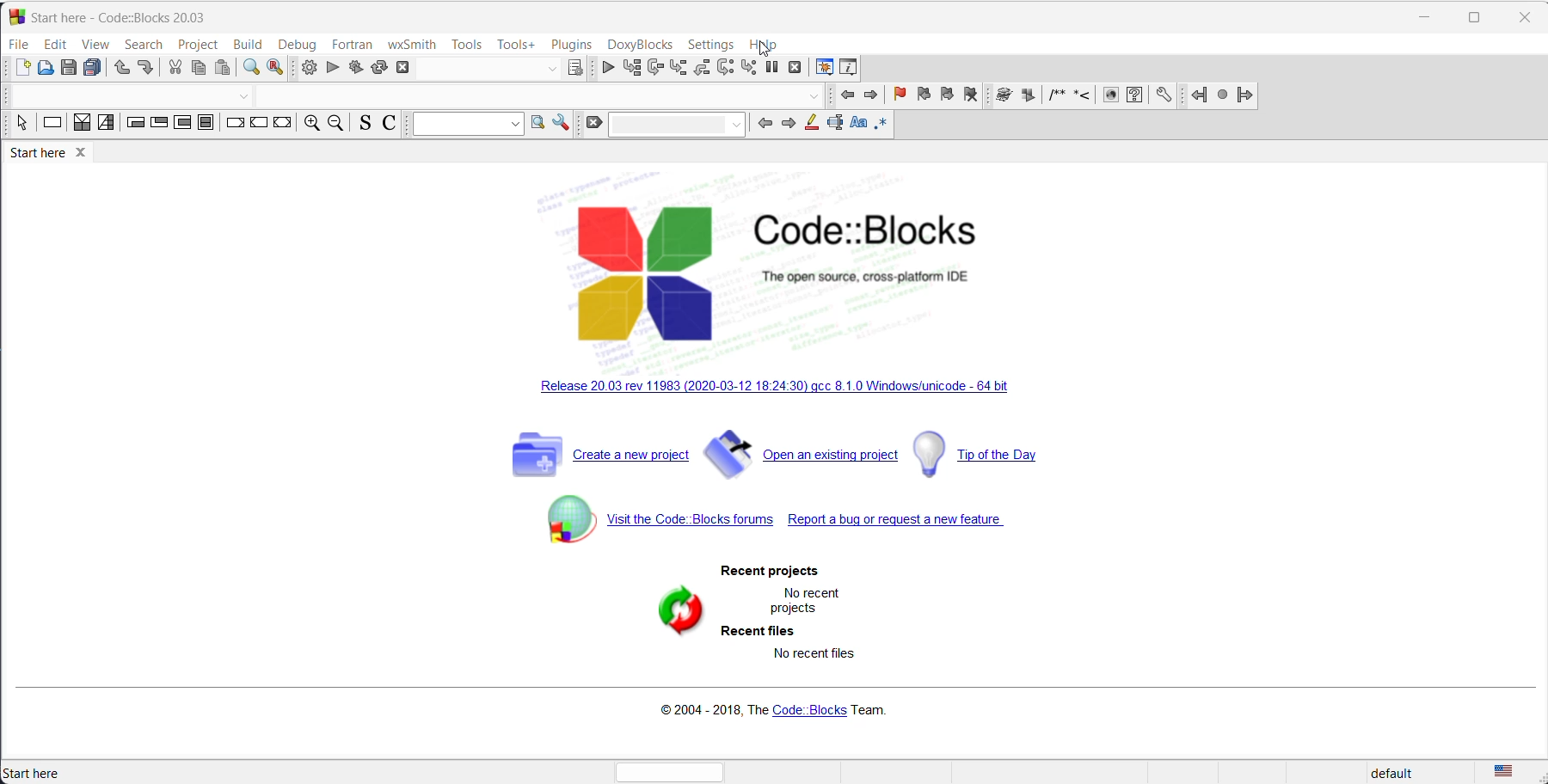 The width and height of the screenshot is (1548, 784). What do you see at coordinates (727, 70) in the screenshot?
I see `next instruction` at bounding box center [727, 70].